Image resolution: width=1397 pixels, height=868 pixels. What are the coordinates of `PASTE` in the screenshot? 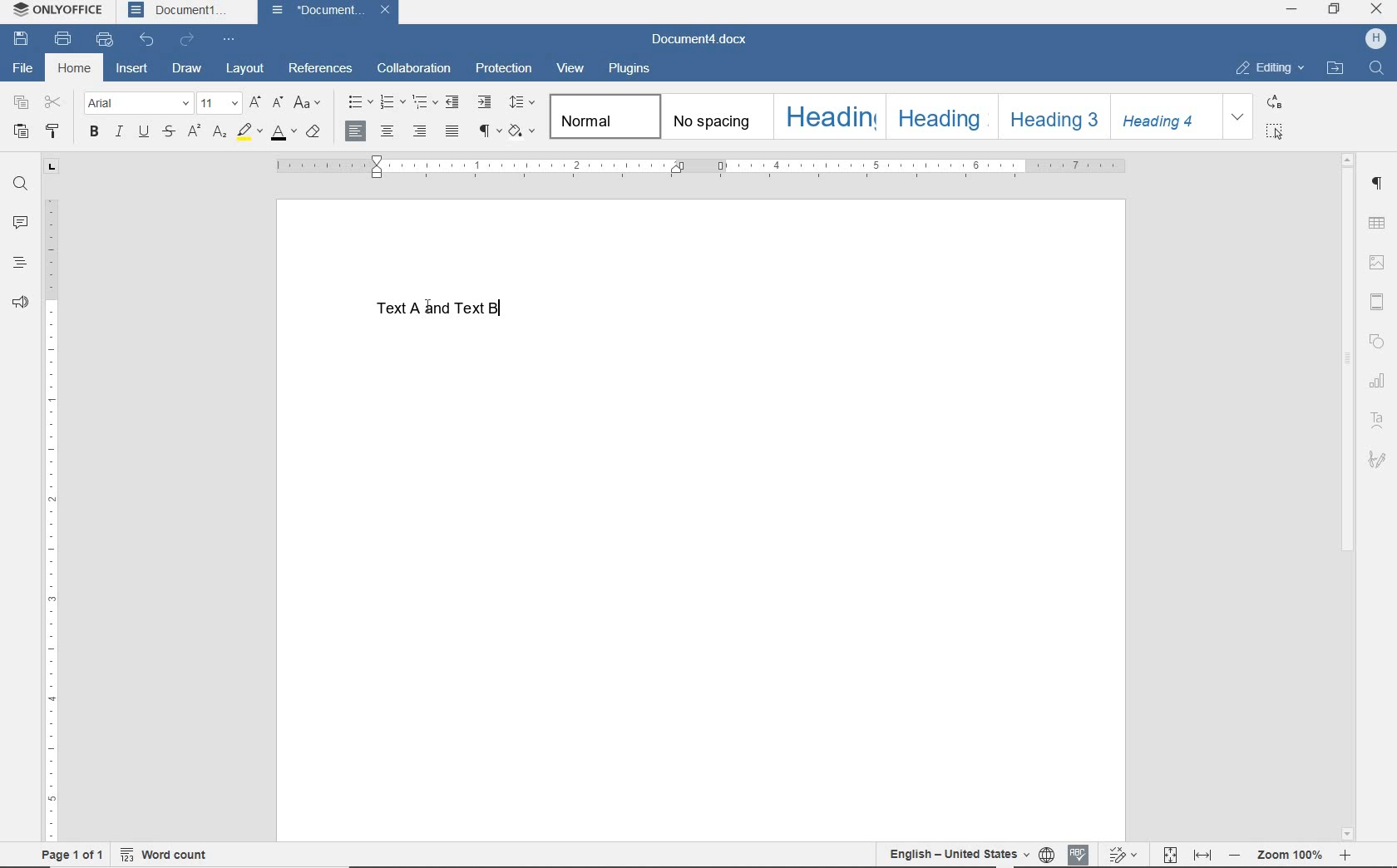 It's located at (21, 131).